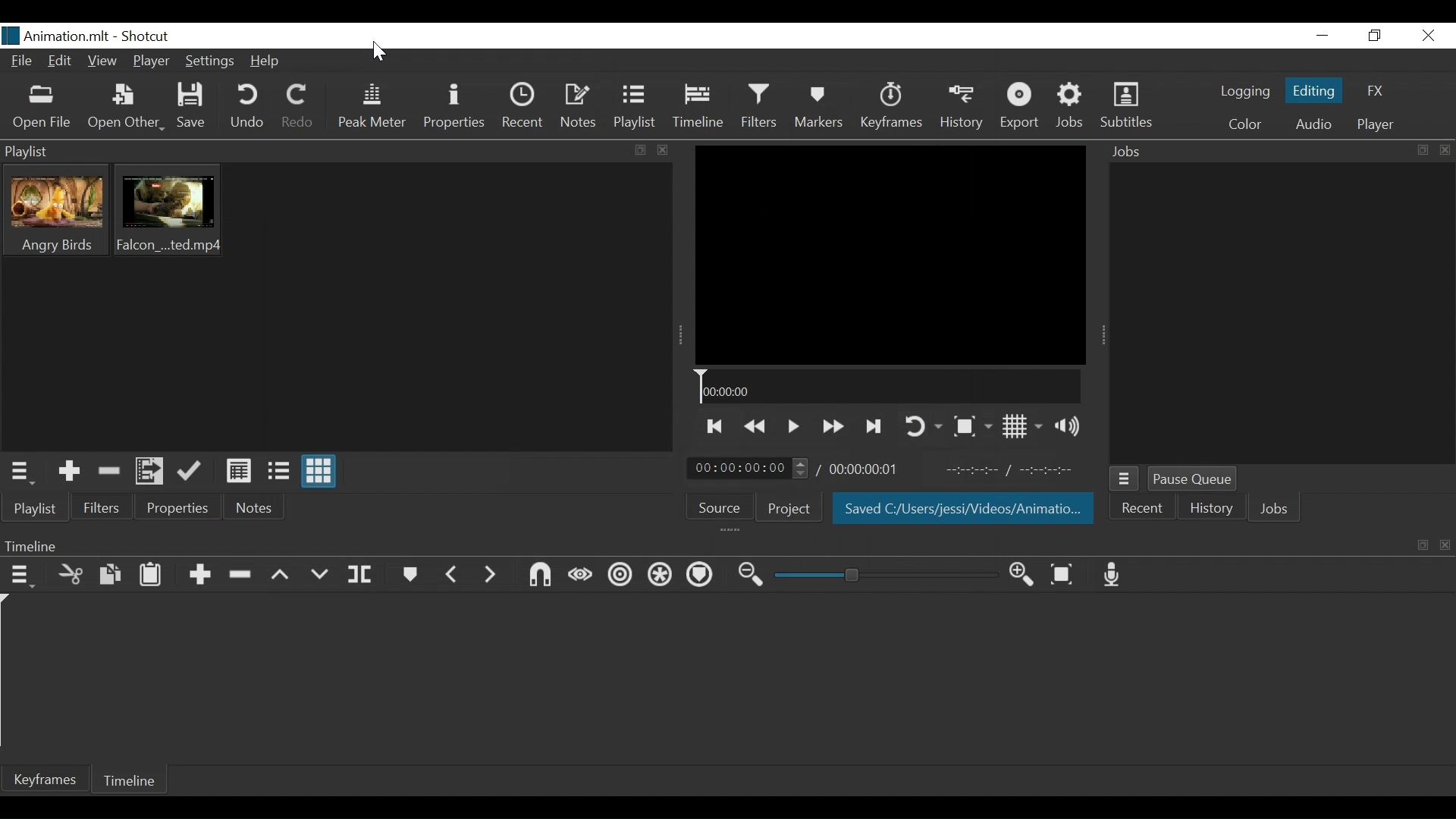  I want to click on File Name, so click(56, 36).